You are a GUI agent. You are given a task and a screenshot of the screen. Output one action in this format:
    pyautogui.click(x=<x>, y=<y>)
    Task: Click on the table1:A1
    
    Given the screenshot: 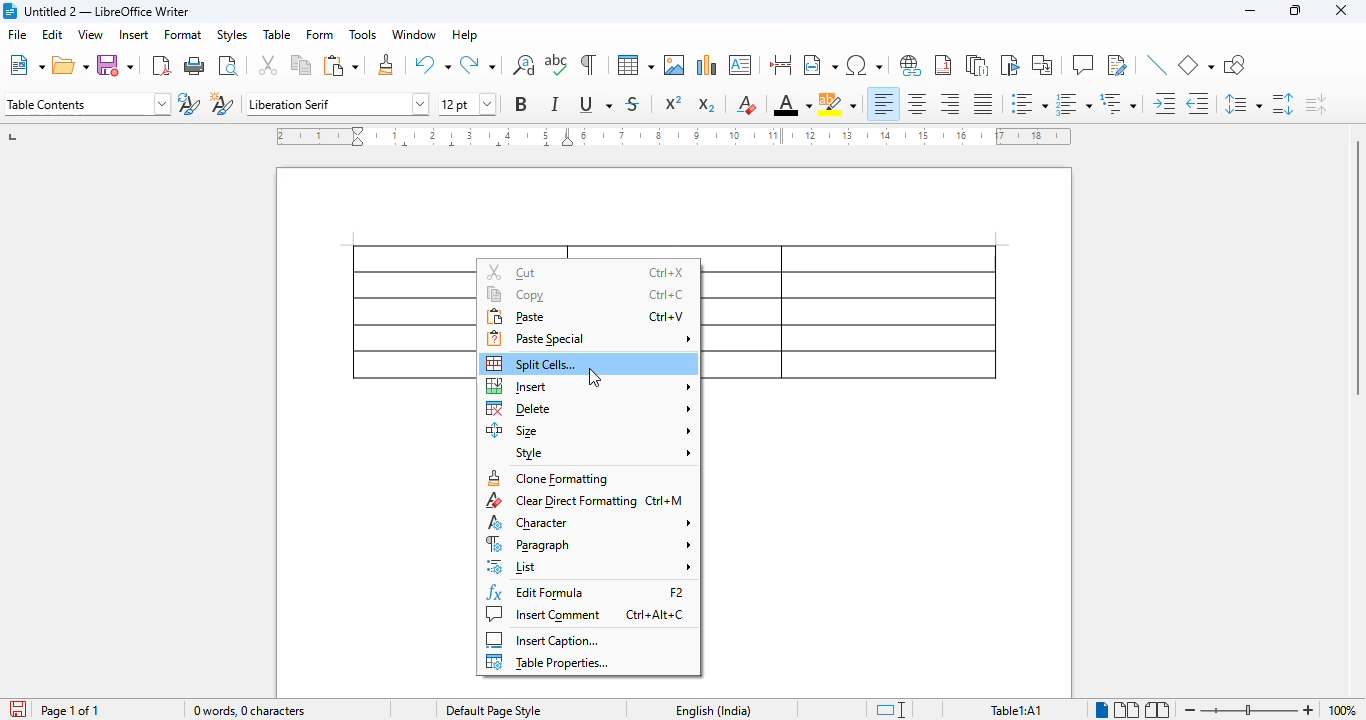 What is the action you would take?
    pyautogui.click(x=1016, y=709)
    